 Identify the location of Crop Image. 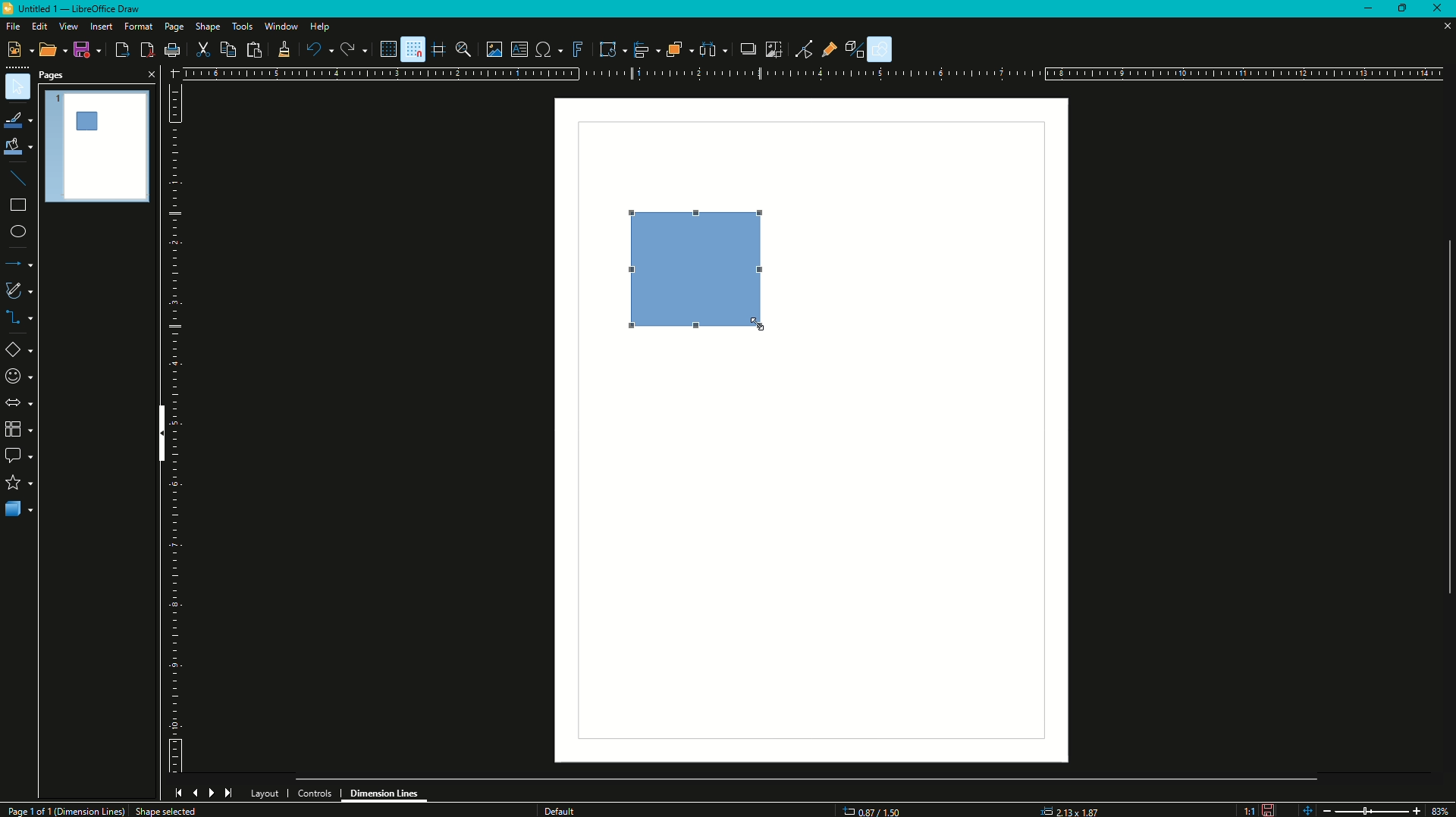
(770, 48).